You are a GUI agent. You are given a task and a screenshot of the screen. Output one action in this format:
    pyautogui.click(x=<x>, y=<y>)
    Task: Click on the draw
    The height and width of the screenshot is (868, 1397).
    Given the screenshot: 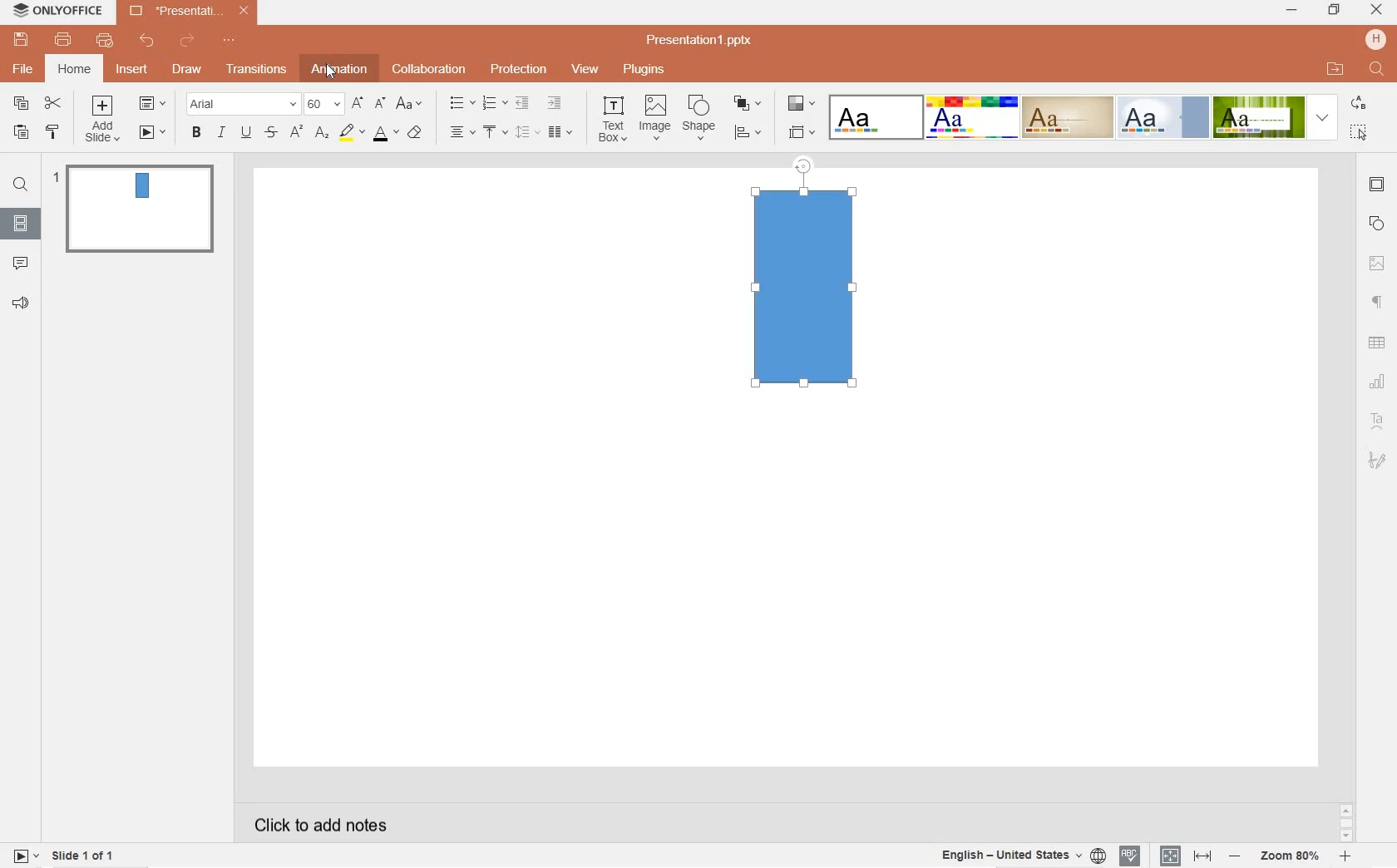 What is the action you would take?
    pyautogui.click(x=186, y=67)
    